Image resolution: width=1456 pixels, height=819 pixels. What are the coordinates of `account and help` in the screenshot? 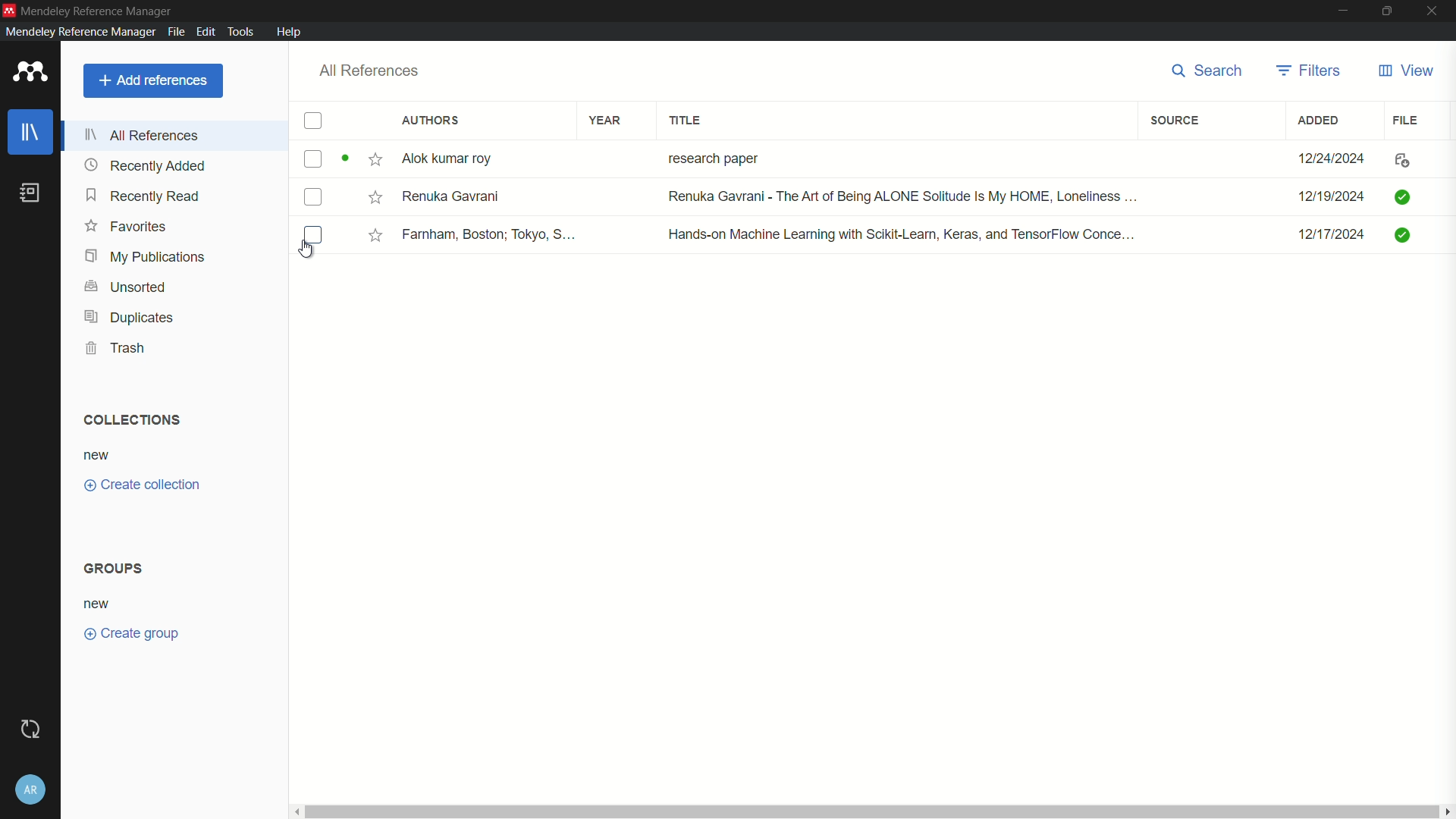 It's located at (32, 790).